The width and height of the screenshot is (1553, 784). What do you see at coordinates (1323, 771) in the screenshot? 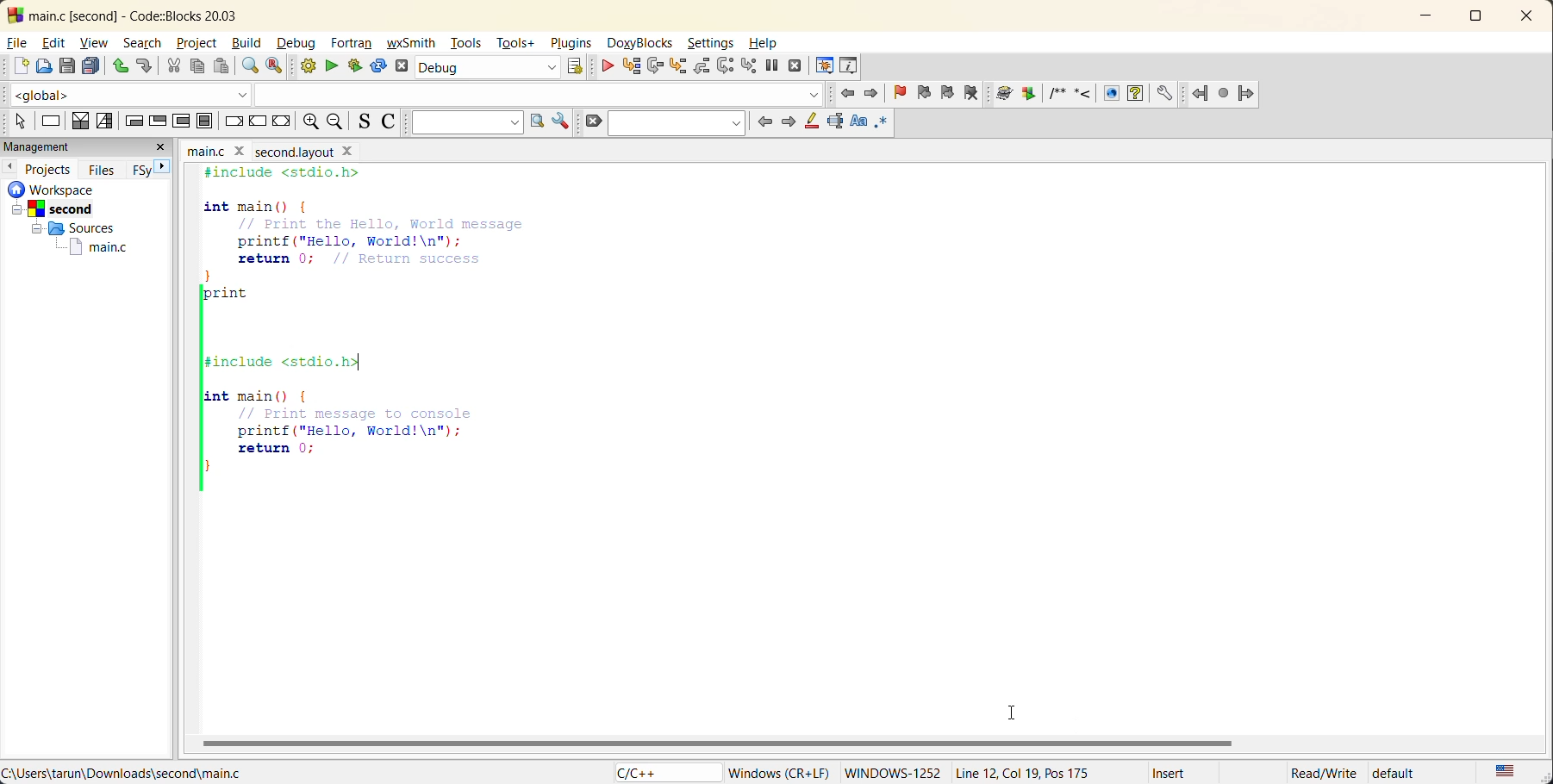
I see `Read/Write` at bounding box center [1323, 771].